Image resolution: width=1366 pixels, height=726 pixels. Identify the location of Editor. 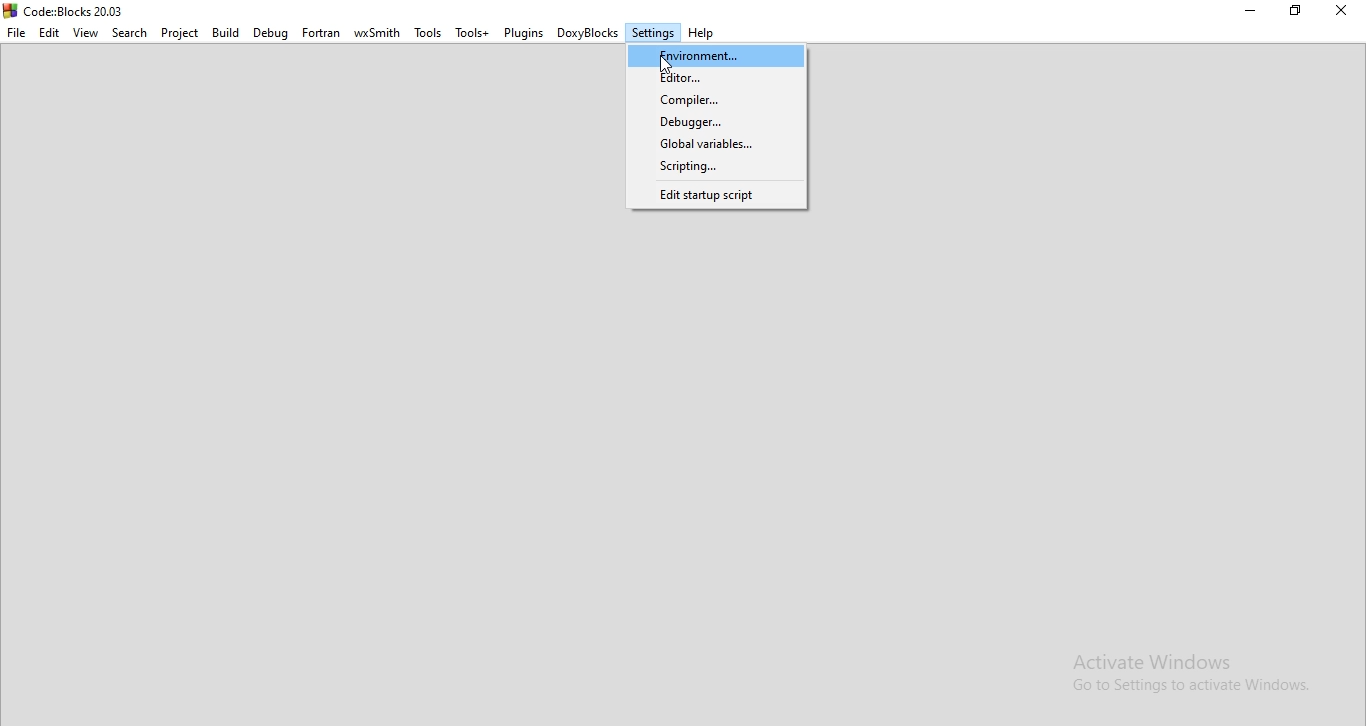
(717, 77).